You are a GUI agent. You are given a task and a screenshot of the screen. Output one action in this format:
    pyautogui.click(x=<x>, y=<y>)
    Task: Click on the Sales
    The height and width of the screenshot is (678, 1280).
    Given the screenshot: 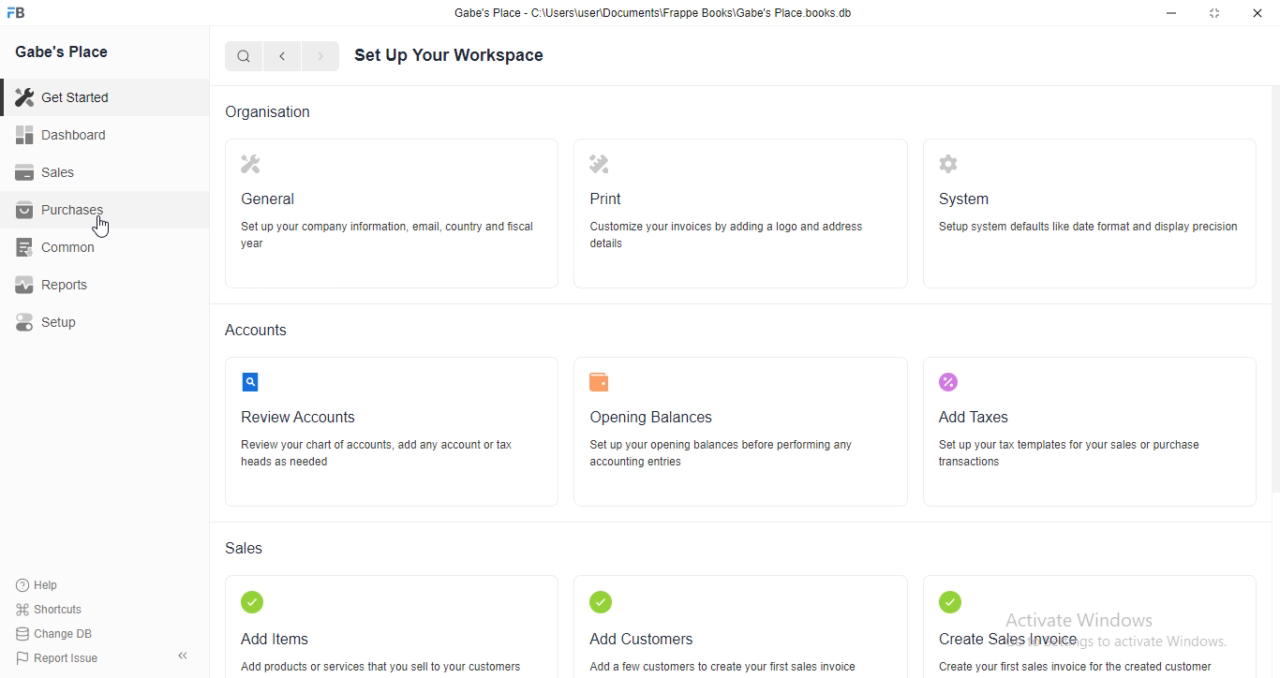 What is the action you would take?
    pyautogui.click(x=45, y=171)
    